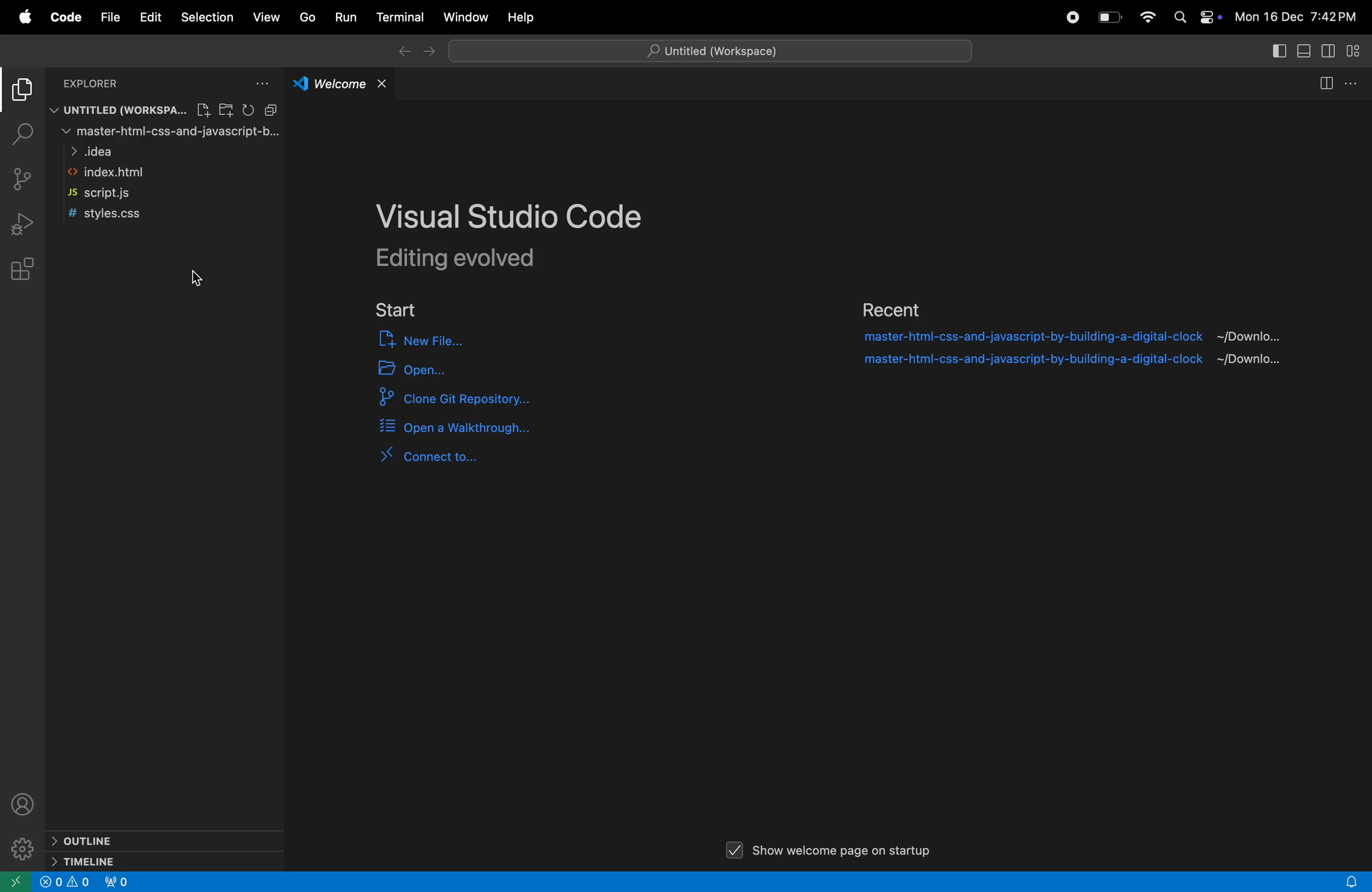 The image size is (1372, 892). I want to click on problems, so click(65, 882).